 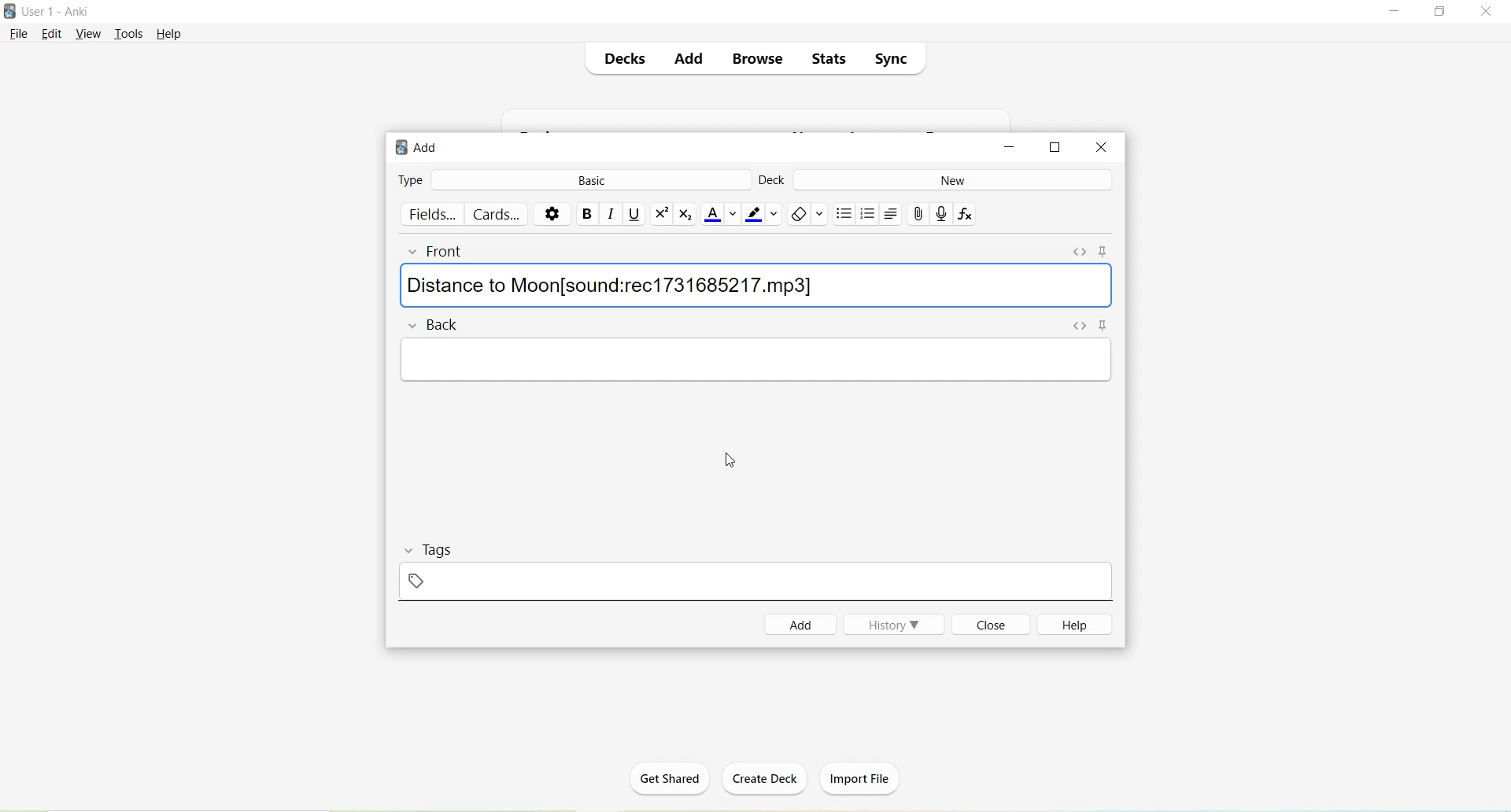 What do you see at coordinates (56, 35) in the screenshot?
I see `Edit` at bounding box center [56, 35].